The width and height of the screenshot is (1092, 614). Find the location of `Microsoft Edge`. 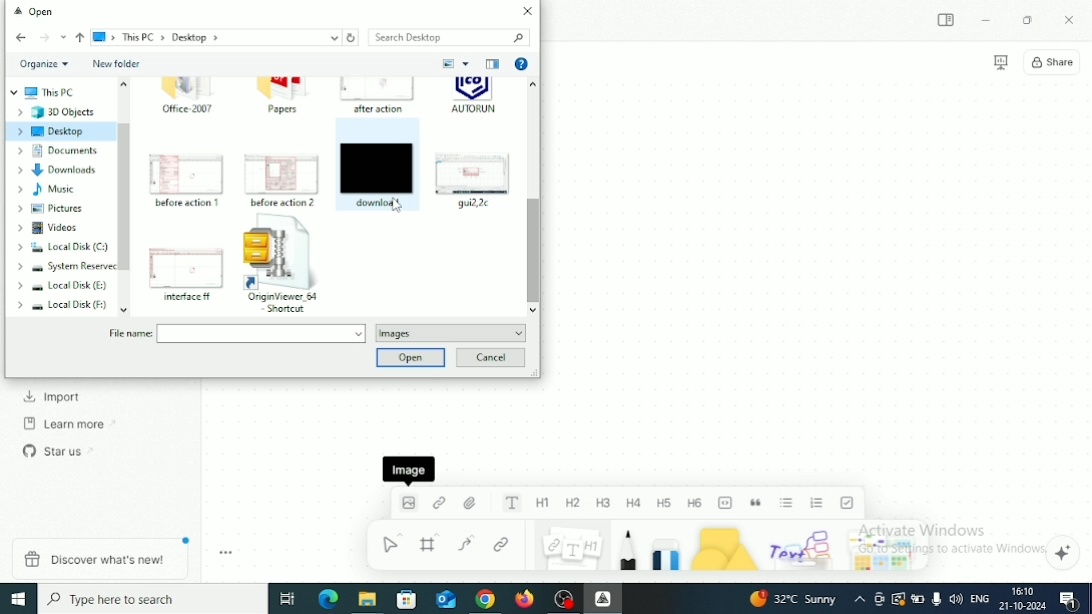

Microsoft Edge is located at coordinates (326, 600).